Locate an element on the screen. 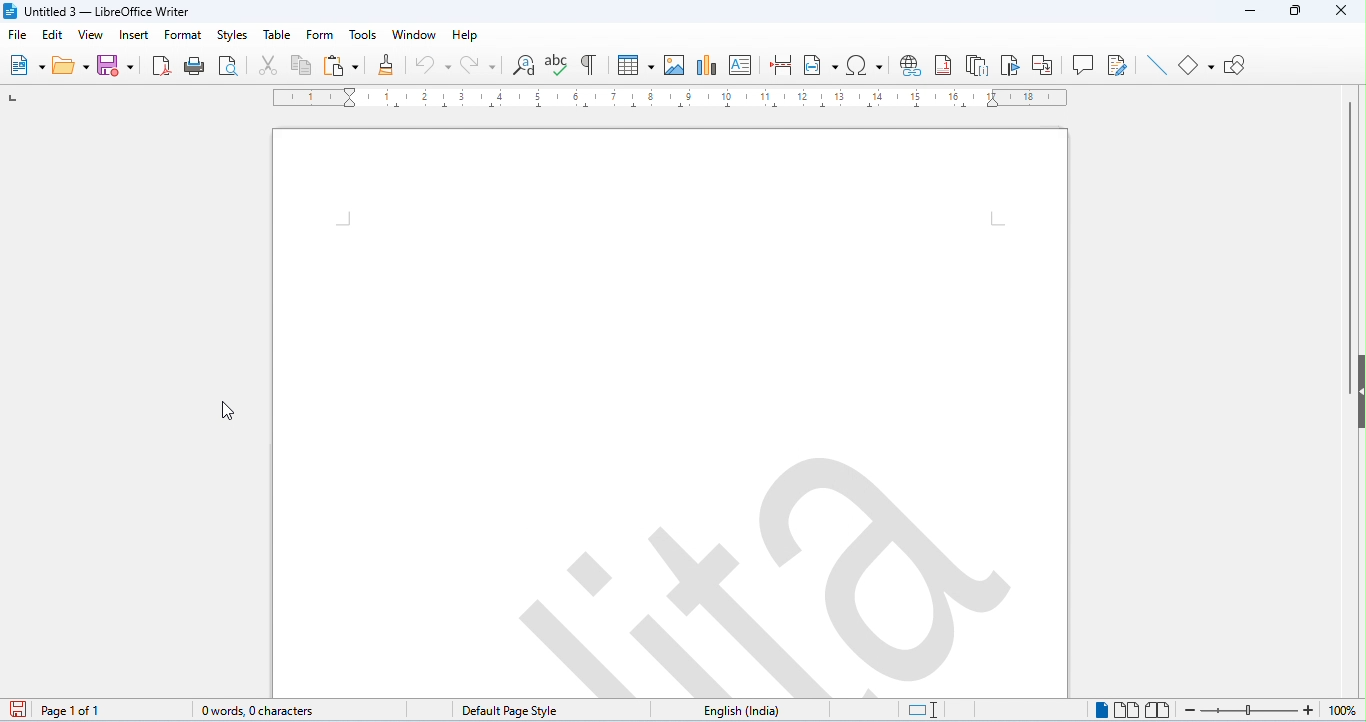  insert foot note is located at coordinates (944, 65).